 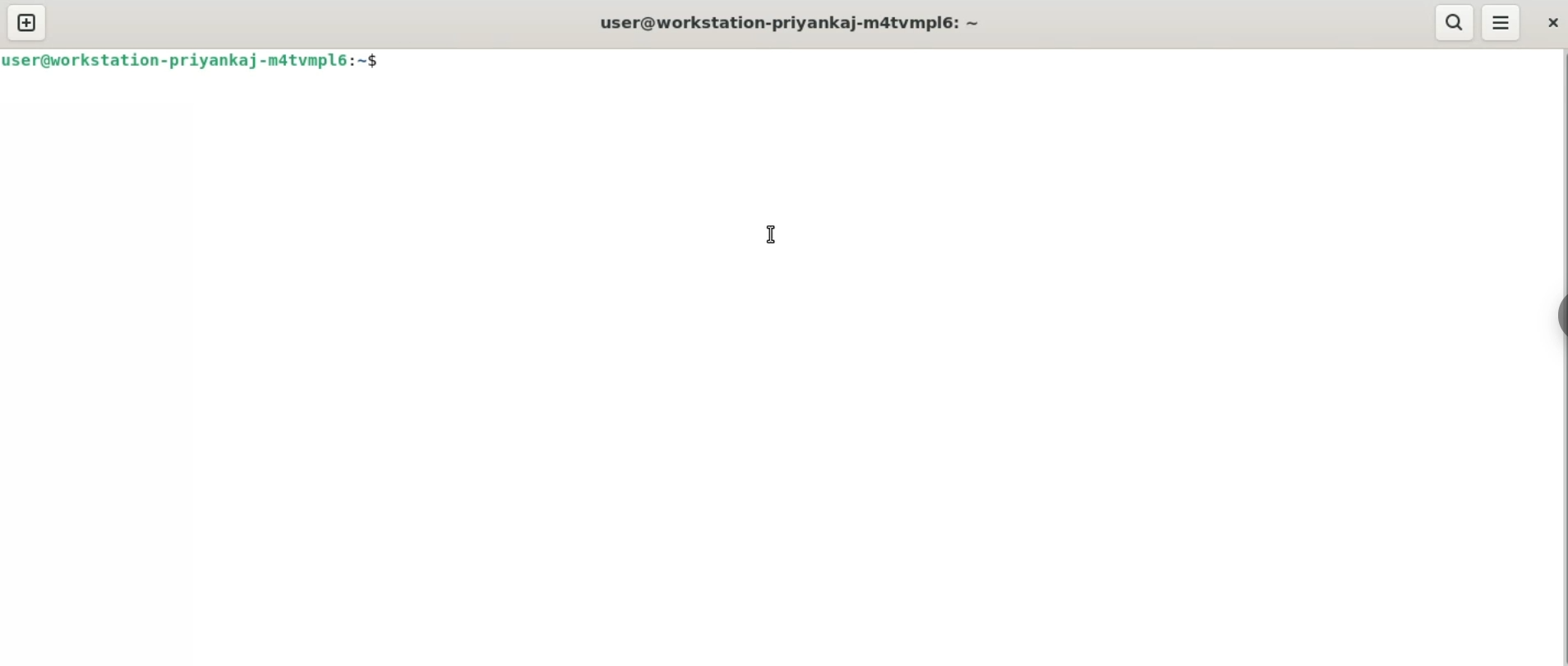 I want to click on new tab, so click(x=26, y=22).